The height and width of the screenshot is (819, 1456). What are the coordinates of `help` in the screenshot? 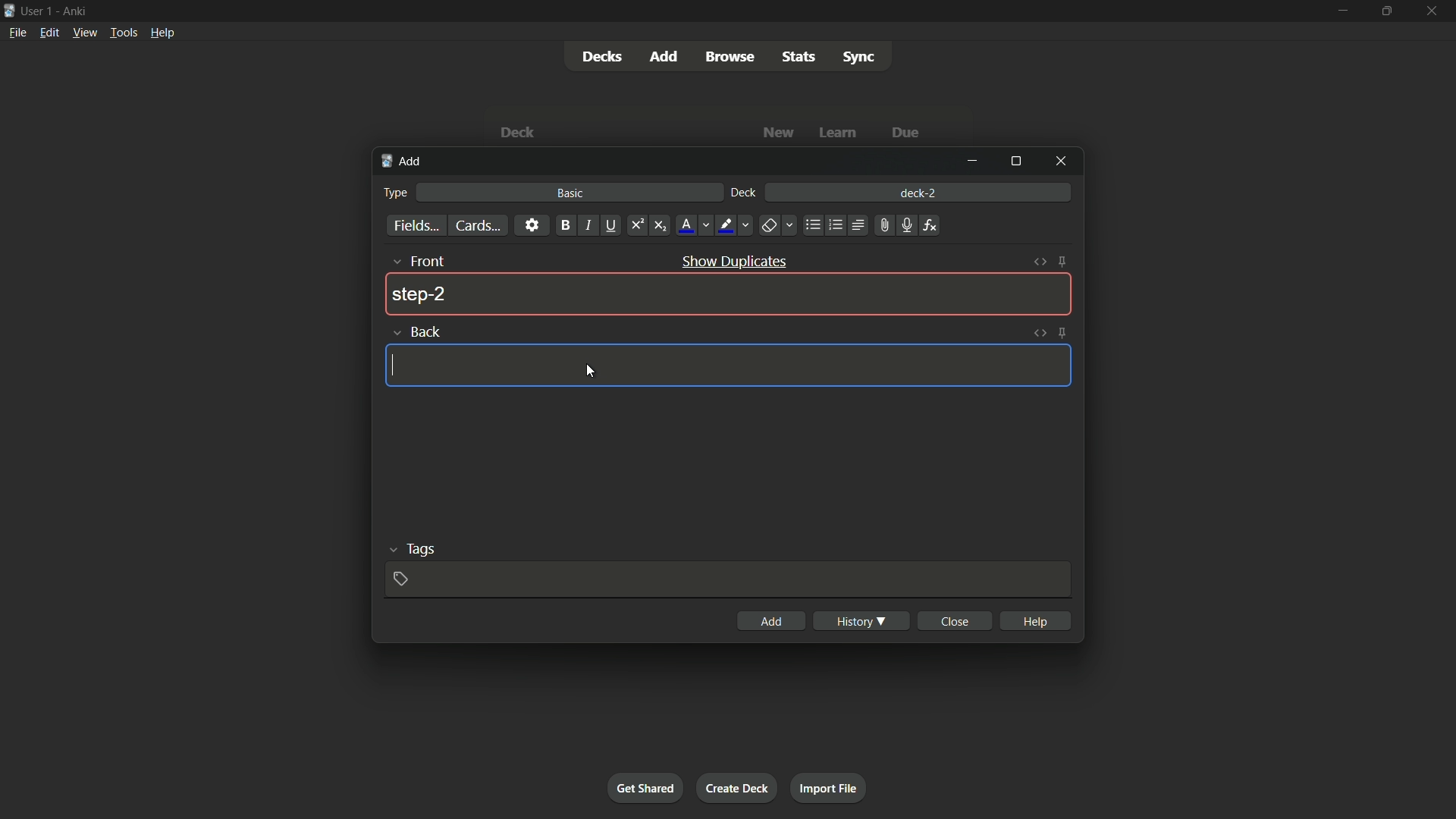 It's located at (1034, 620).